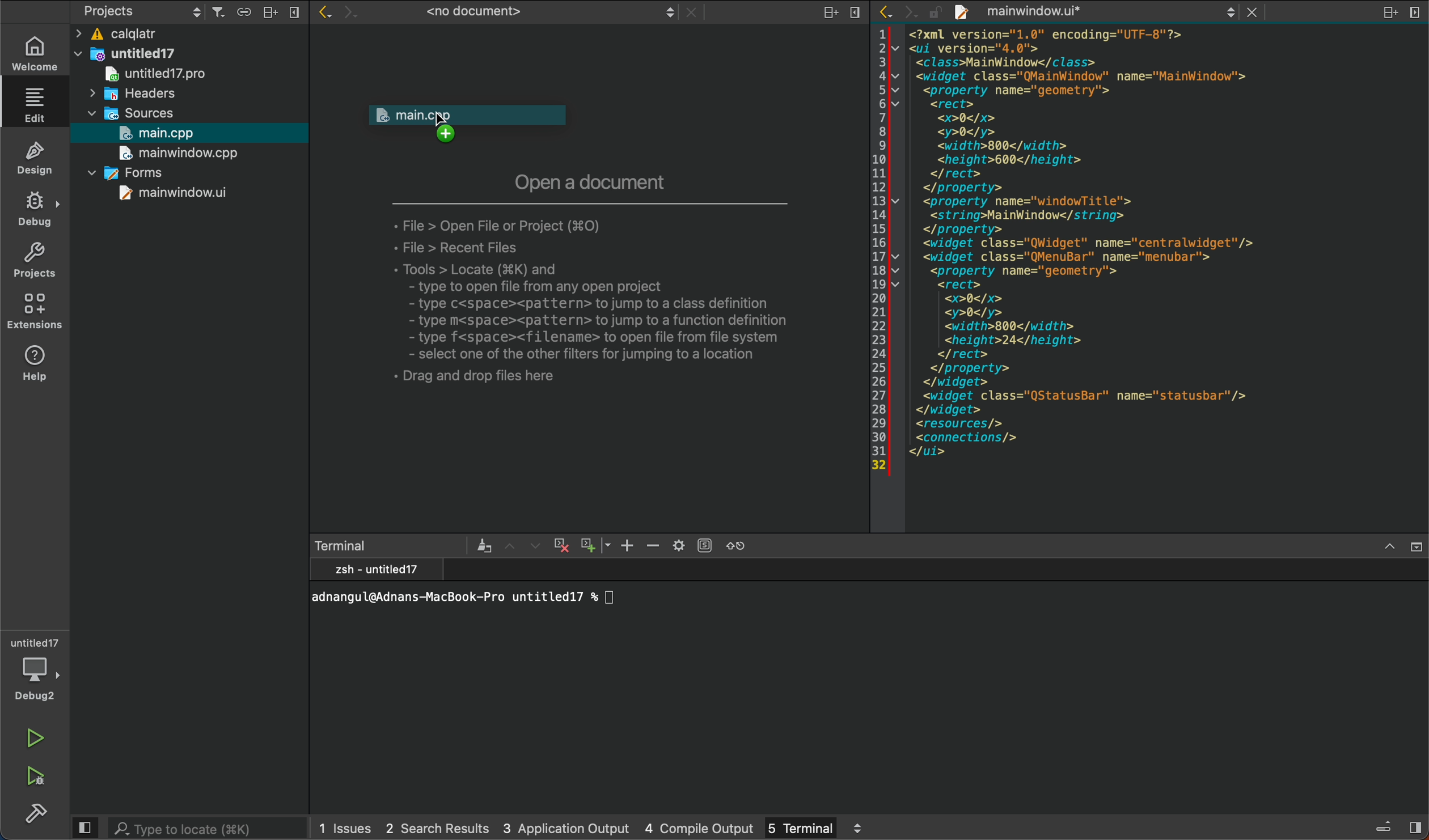 Image resolution: width=1429 pixels, height=840 pixels. I want to click on untitled17, so click(147, 74).